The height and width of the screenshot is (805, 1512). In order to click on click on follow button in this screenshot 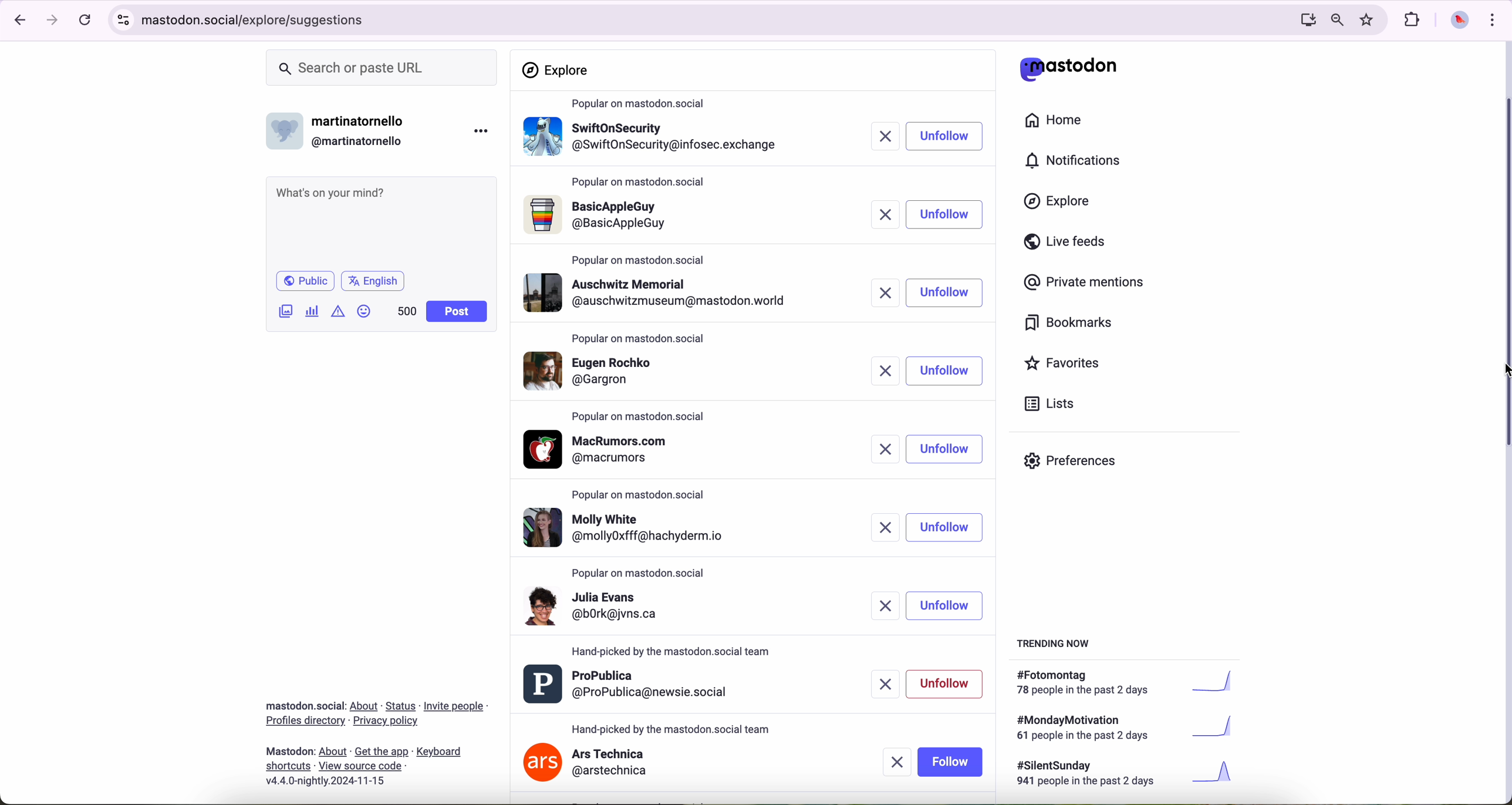, I will do `click(945, 137)`.